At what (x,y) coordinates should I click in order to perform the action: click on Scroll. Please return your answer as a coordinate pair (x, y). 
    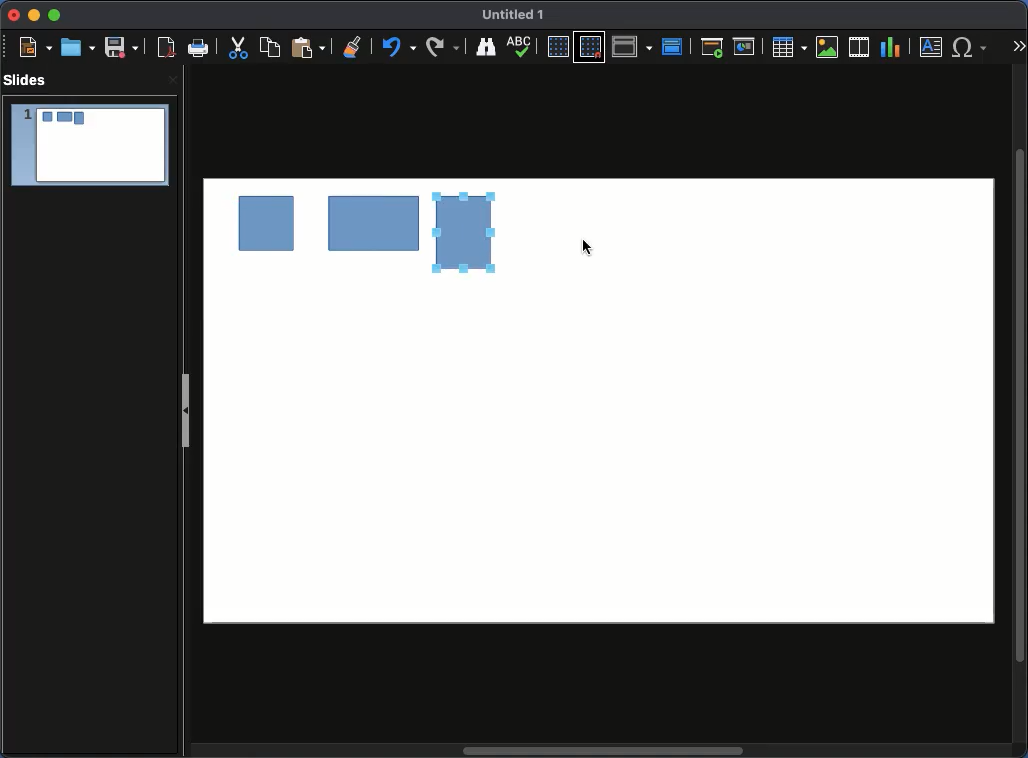
    Looking at the image, I should click on (1020, 406).